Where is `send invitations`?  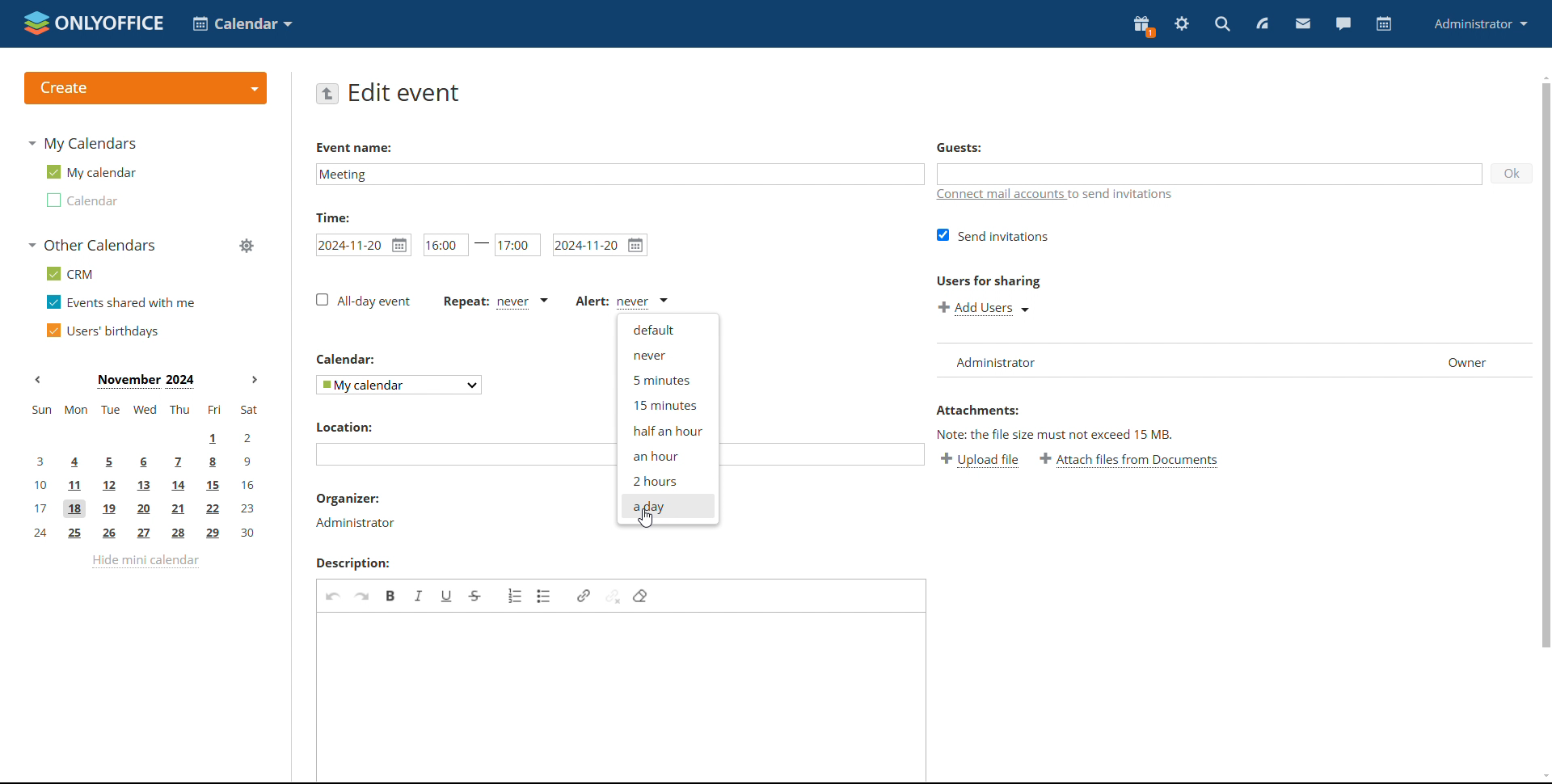 send invitations is located at coordinates (994, 236).